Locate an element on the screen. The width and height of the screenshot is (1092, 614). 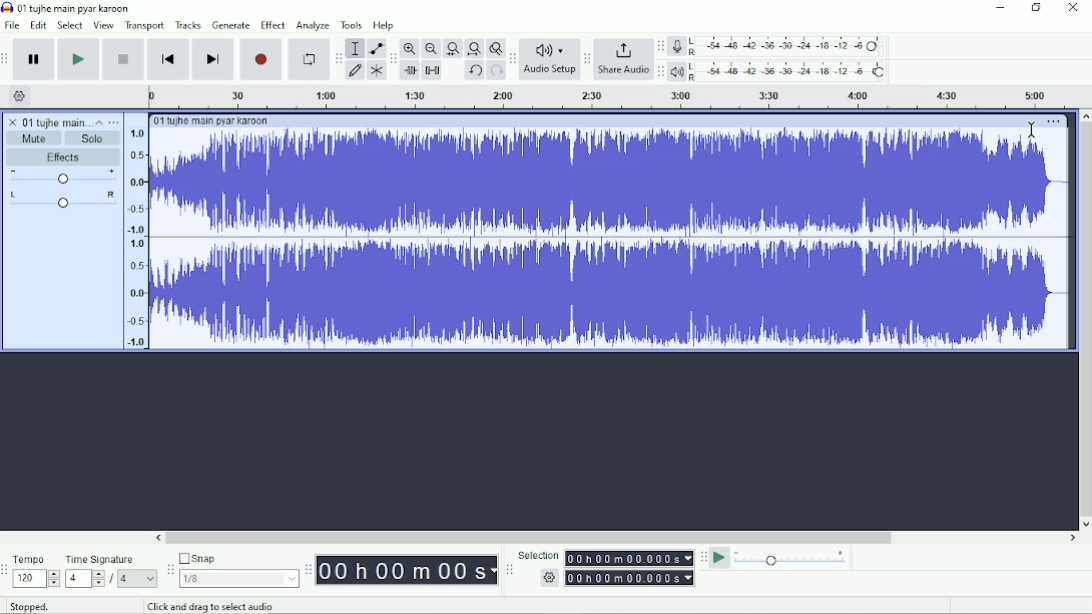
Playback speed is located at coordinates (794, 558).